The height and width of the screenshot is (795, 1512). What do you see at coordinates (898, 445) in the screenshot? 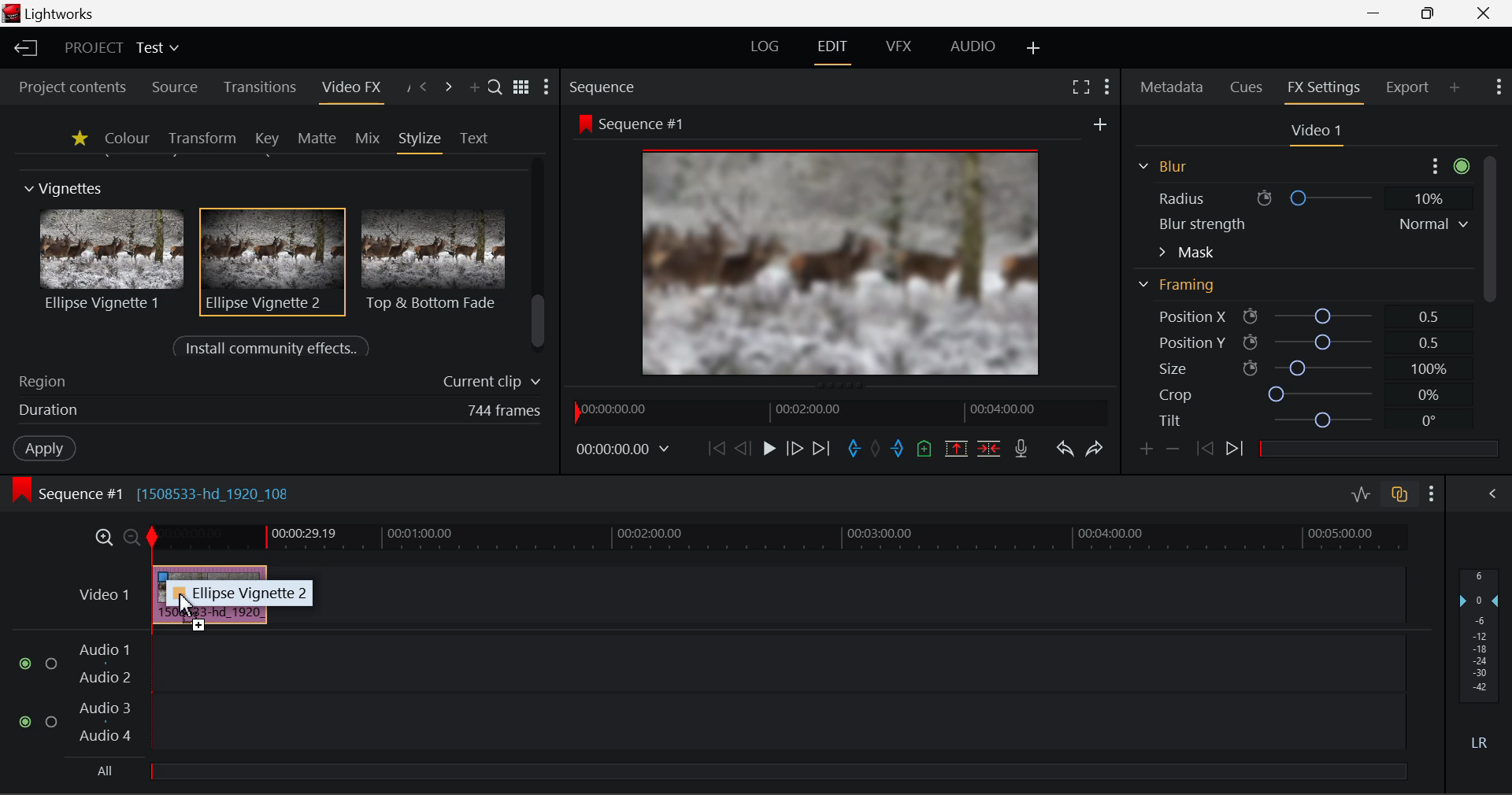
I see `Mark Out` at bounding box center [898, 445].